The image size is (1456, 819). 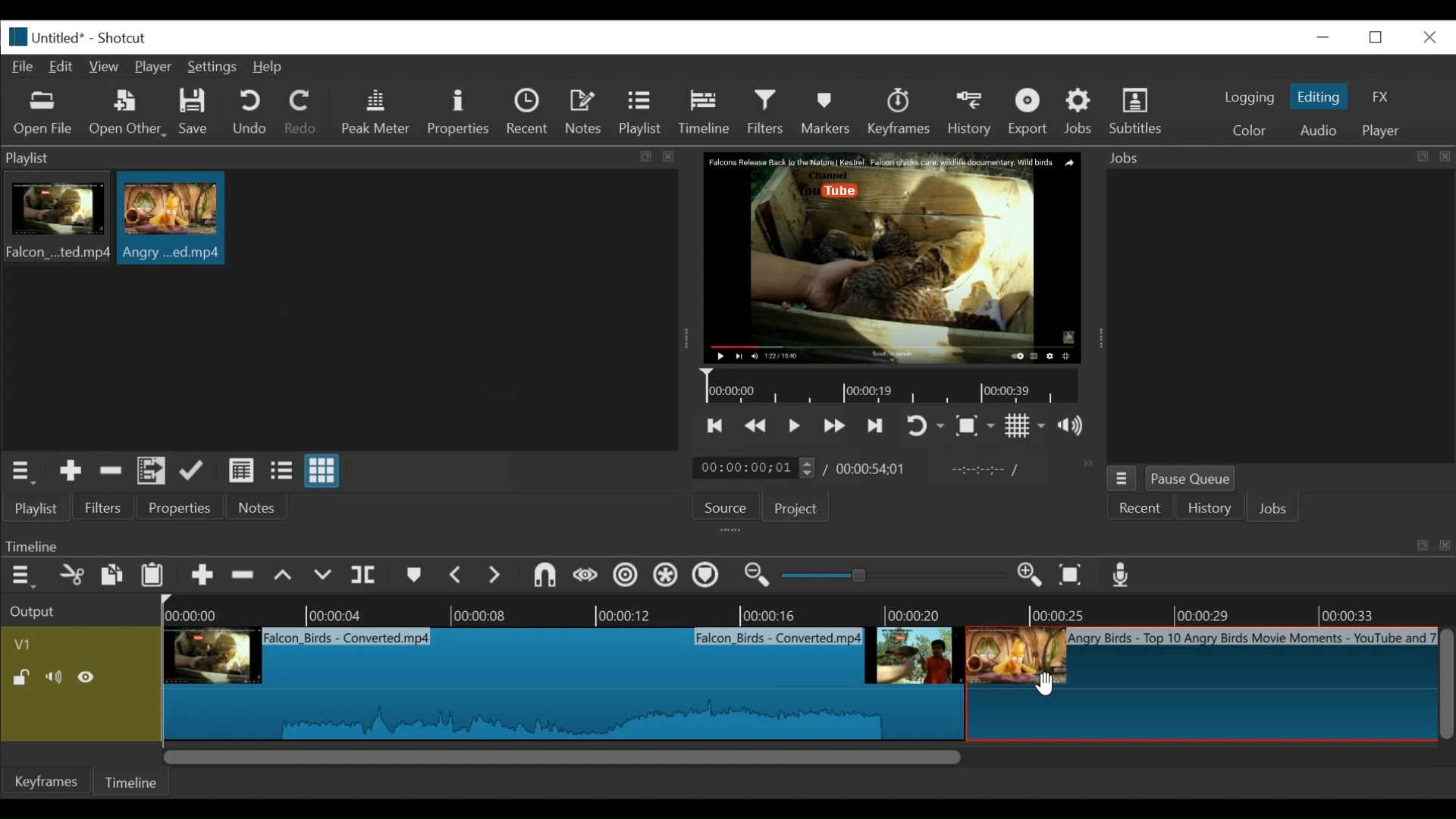 I want to click on Player, so click(x=157, y=68).